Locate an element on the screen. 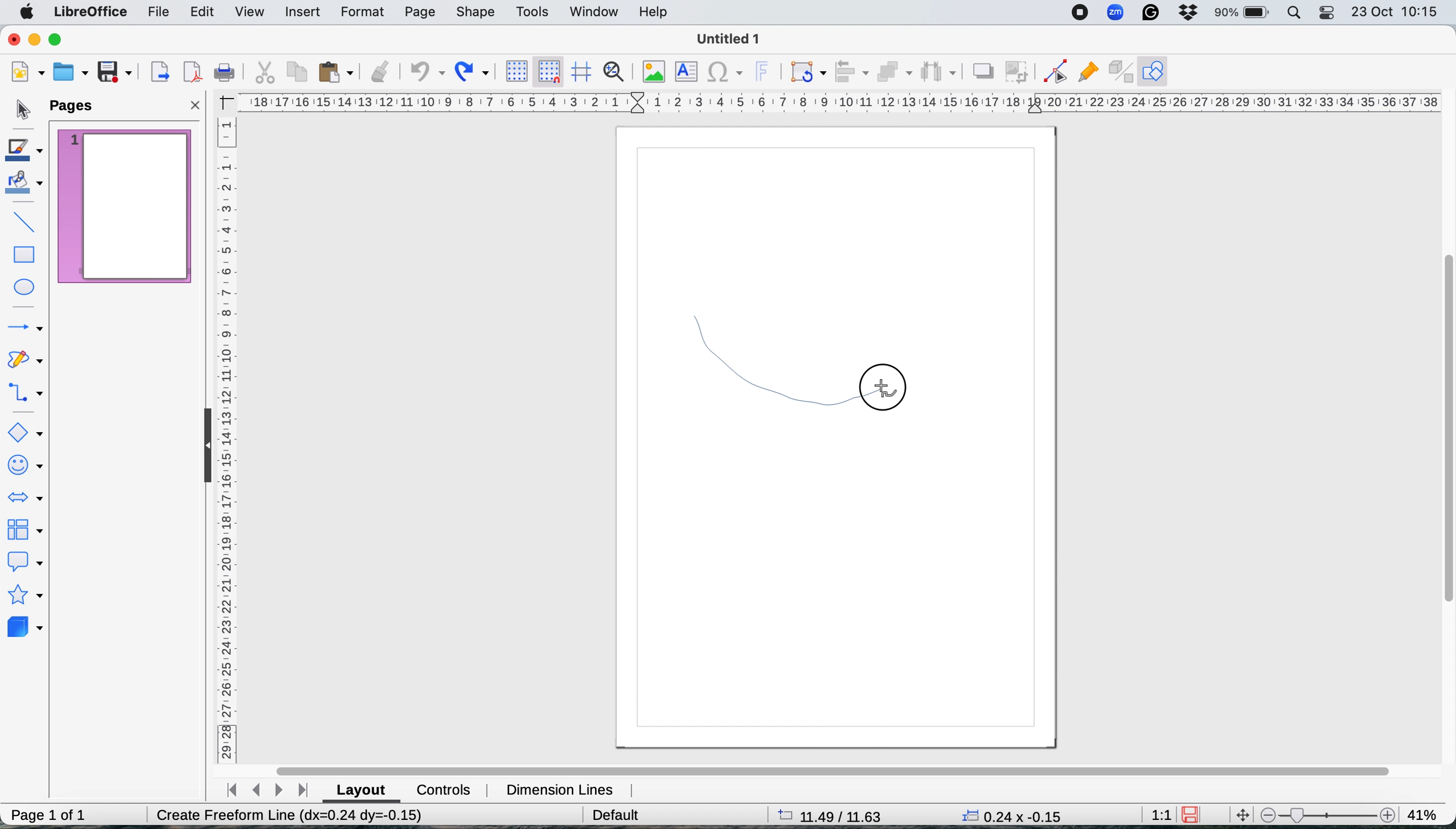  zoom and pan is located at coordinates (614, 72).